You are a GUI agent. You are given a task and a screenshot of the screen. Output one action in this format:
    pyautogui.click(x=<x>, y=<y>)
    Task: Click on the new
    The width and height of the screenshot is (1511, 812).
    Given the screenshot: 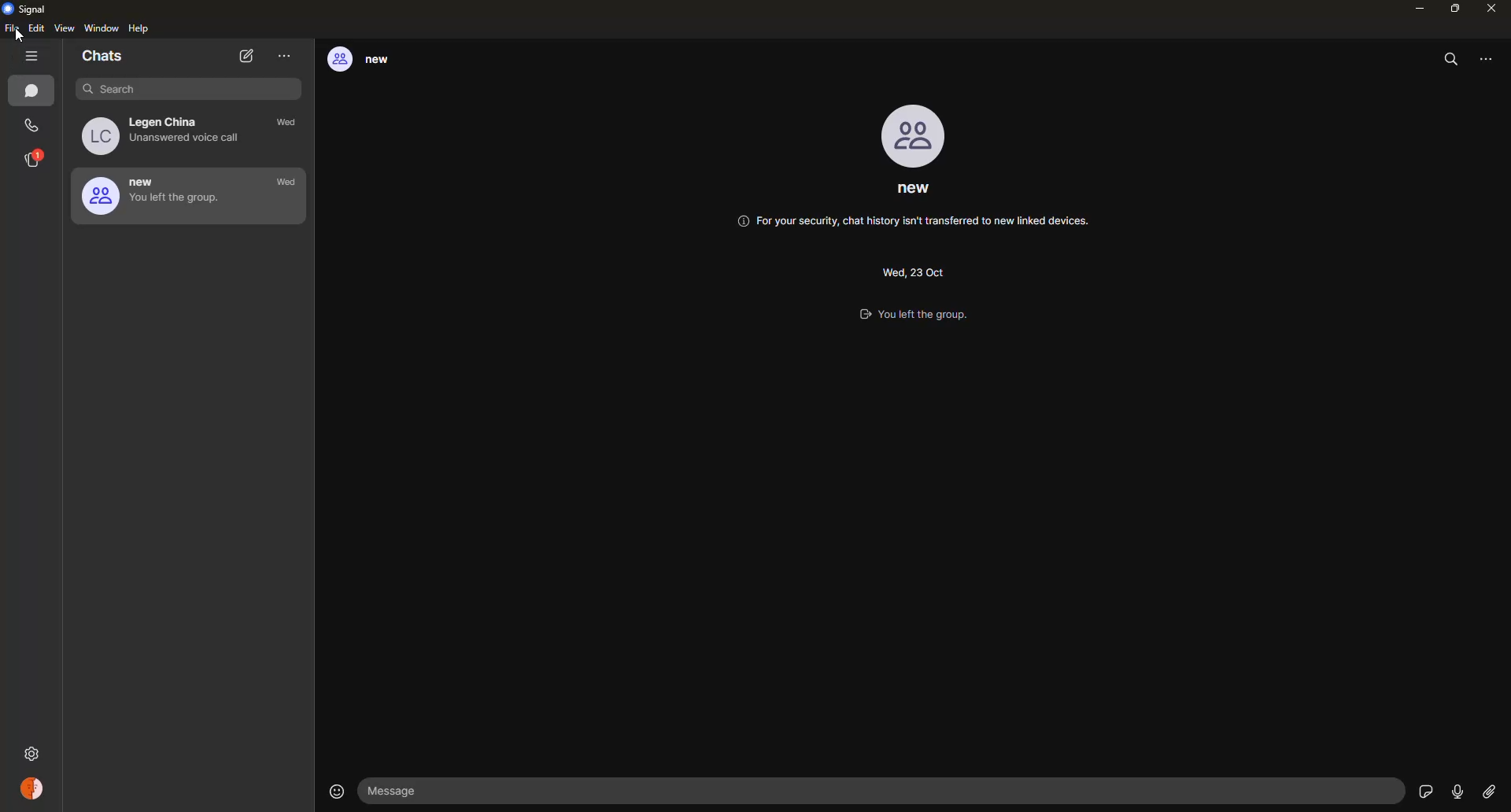 What is the action you would take?
    pyautogui.click(x=371, y=61)
    